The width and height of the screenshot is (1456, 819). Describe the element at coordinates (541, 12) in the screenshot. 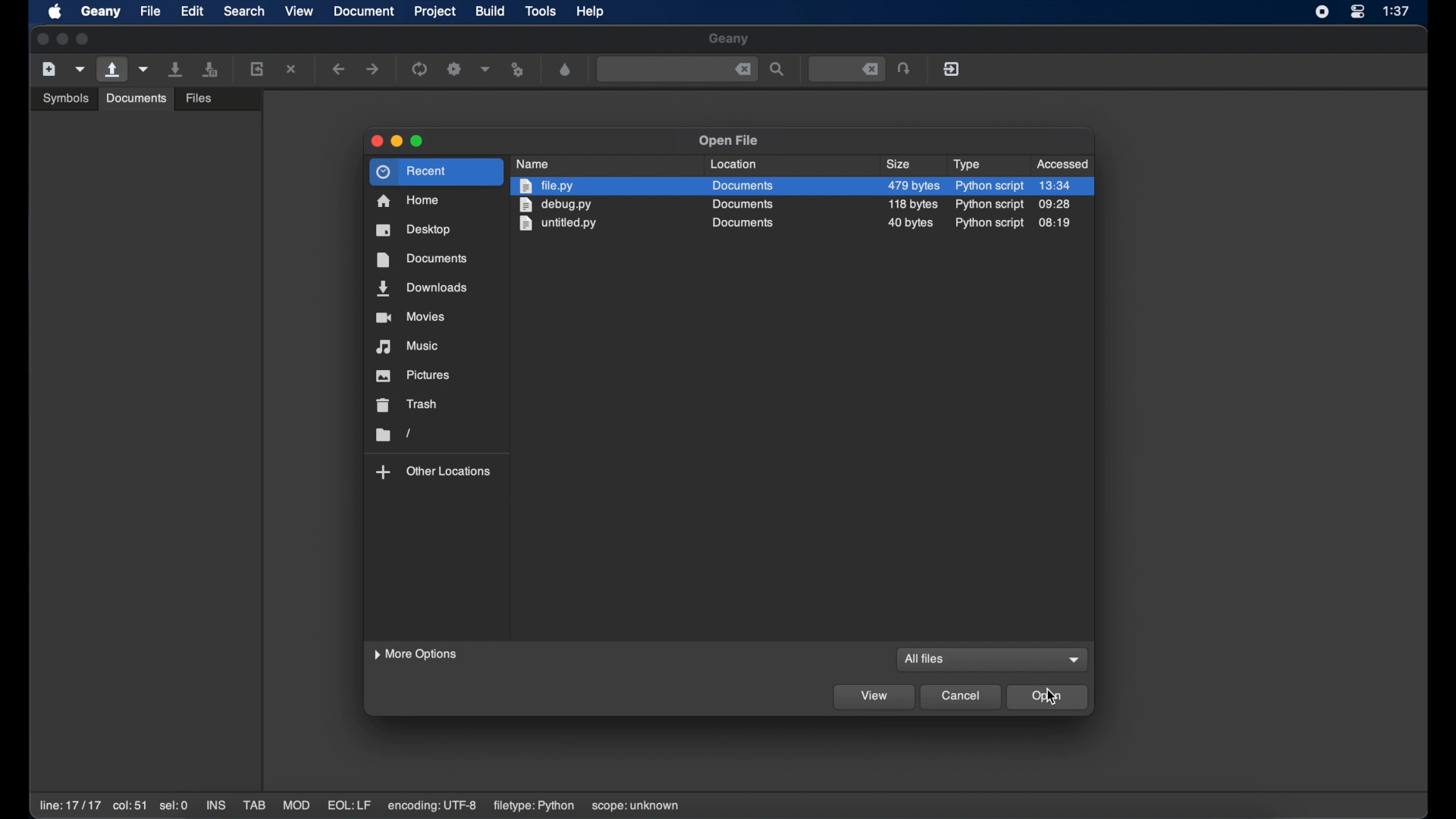

I see `tools` at that location.